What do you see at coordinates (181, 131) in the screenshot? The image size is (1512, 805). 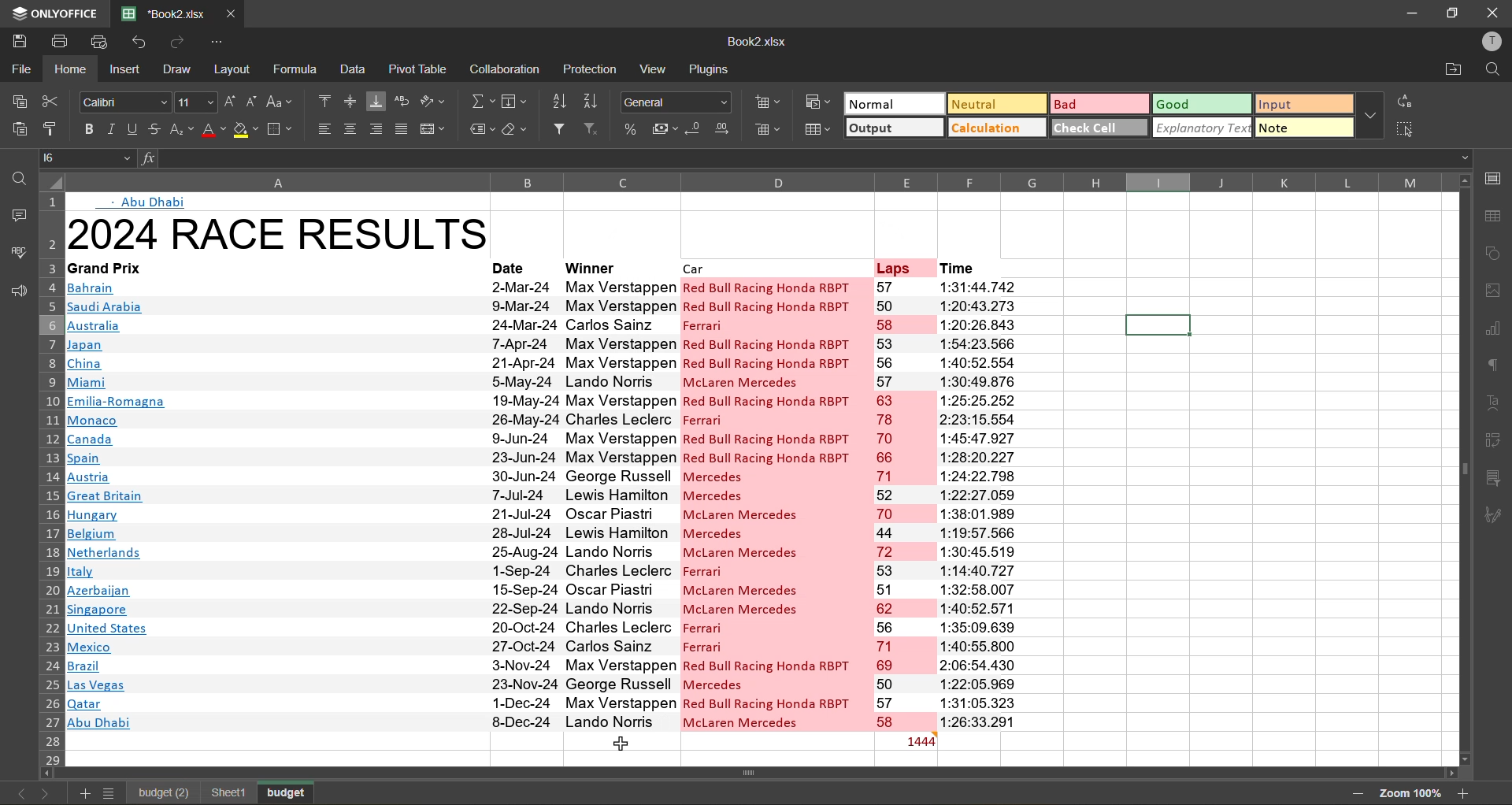 I see `sub/superscript` at bounding box center [181, 131].